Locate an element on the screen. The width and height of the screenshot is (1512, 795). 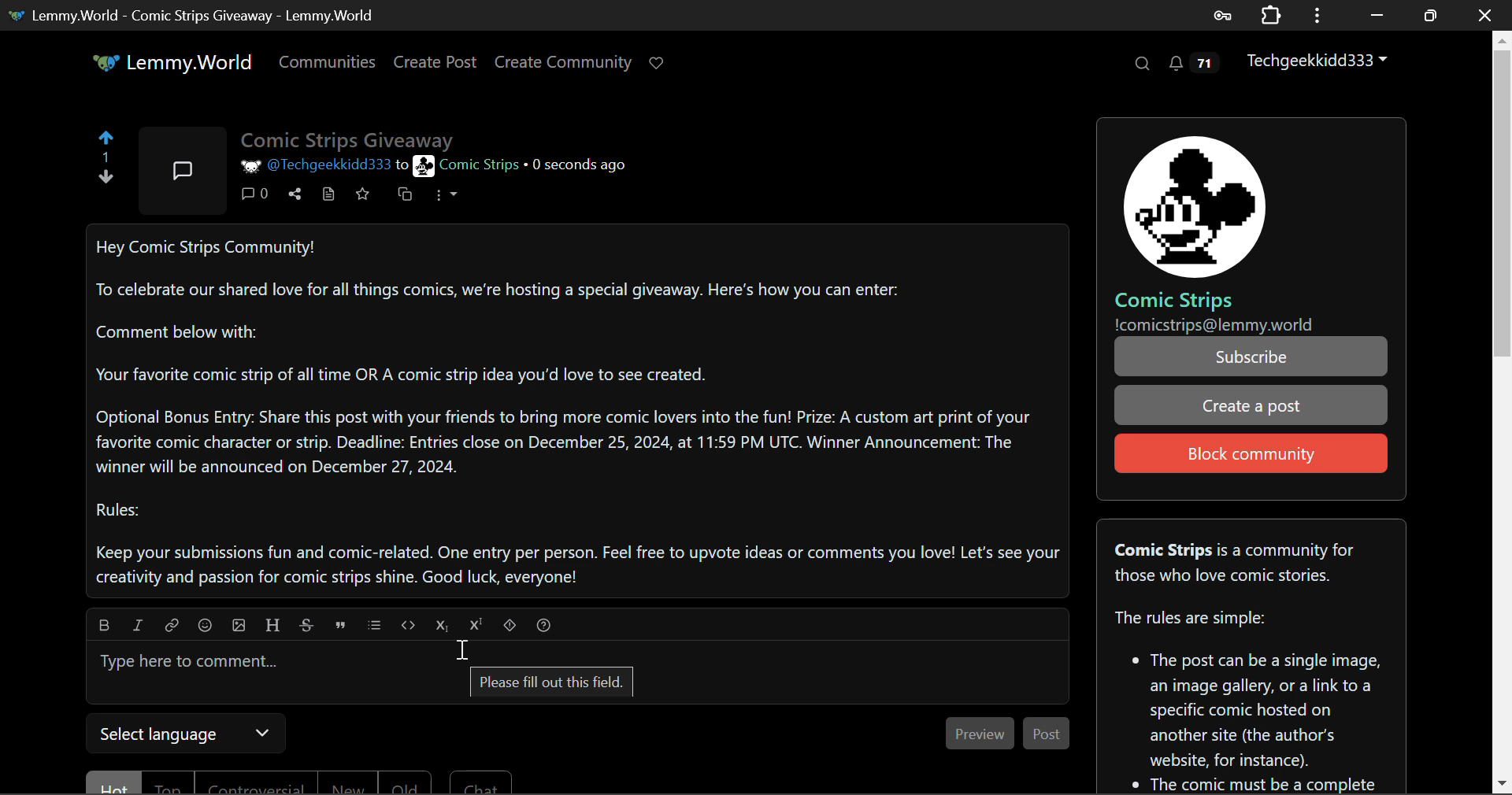
code is located at coordinates (409, 622).